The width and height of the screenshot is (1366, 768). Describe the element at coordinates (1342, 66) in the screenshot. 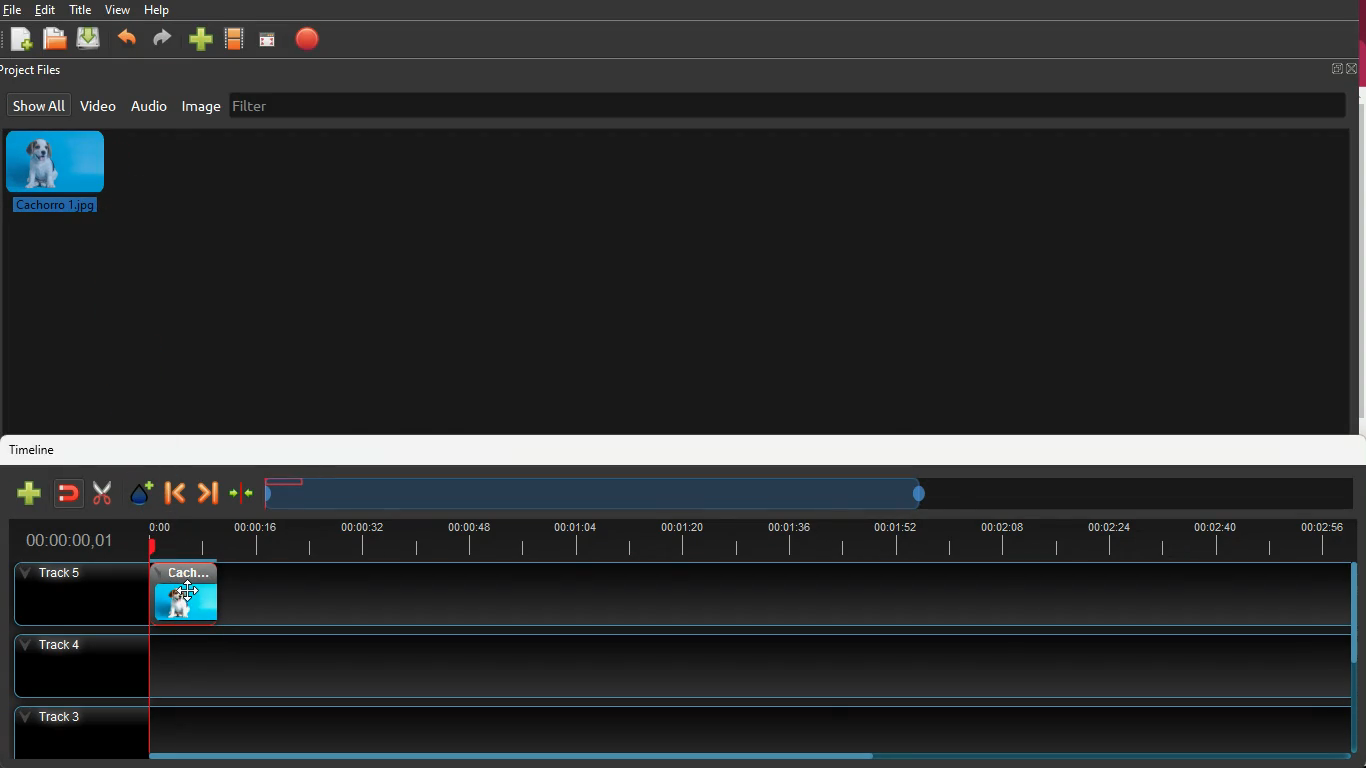

I see `fullscreen` at that location.